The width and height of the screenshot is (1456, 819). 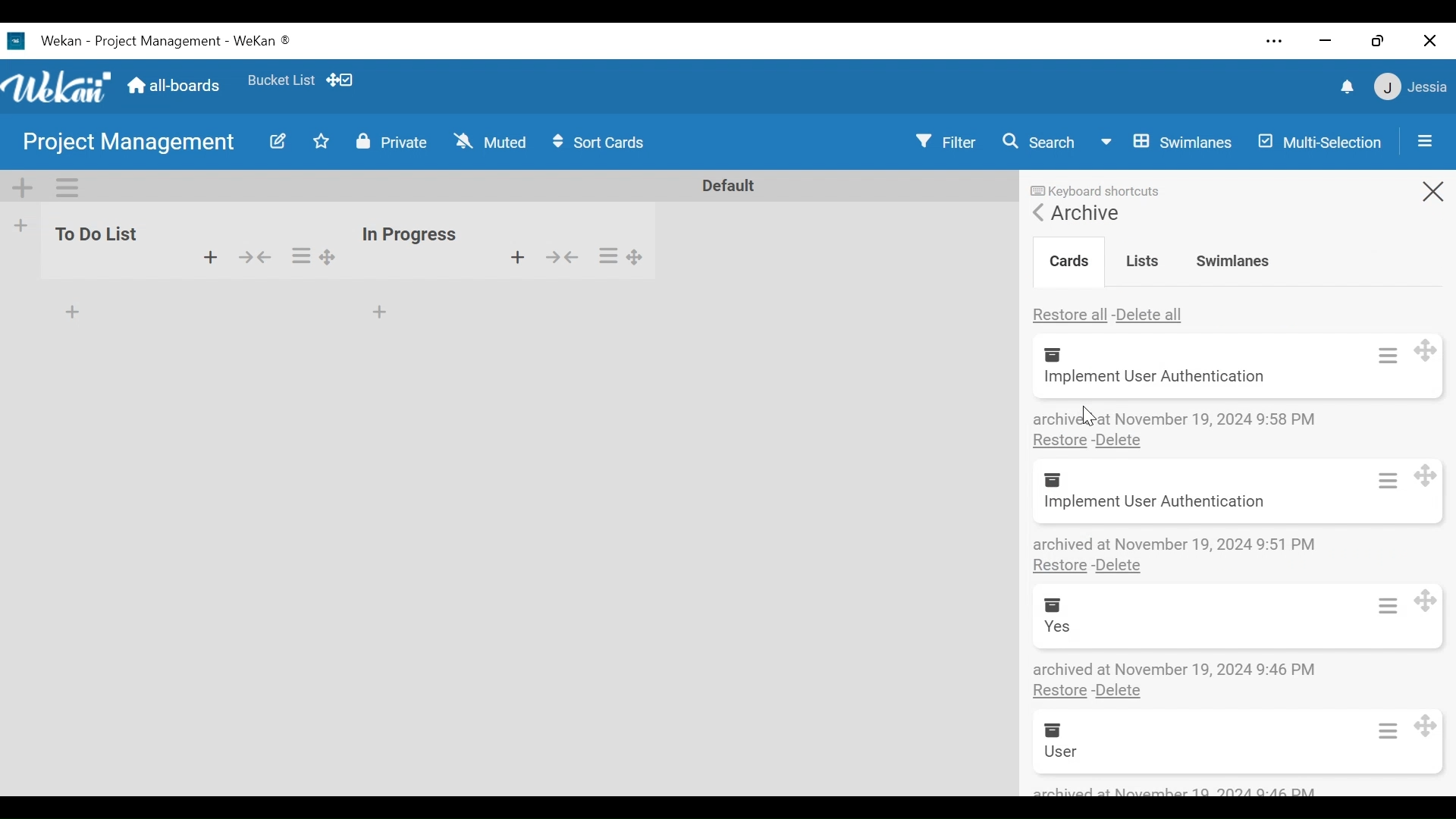 I want to click on Crads, so click(x=1068, y=262).